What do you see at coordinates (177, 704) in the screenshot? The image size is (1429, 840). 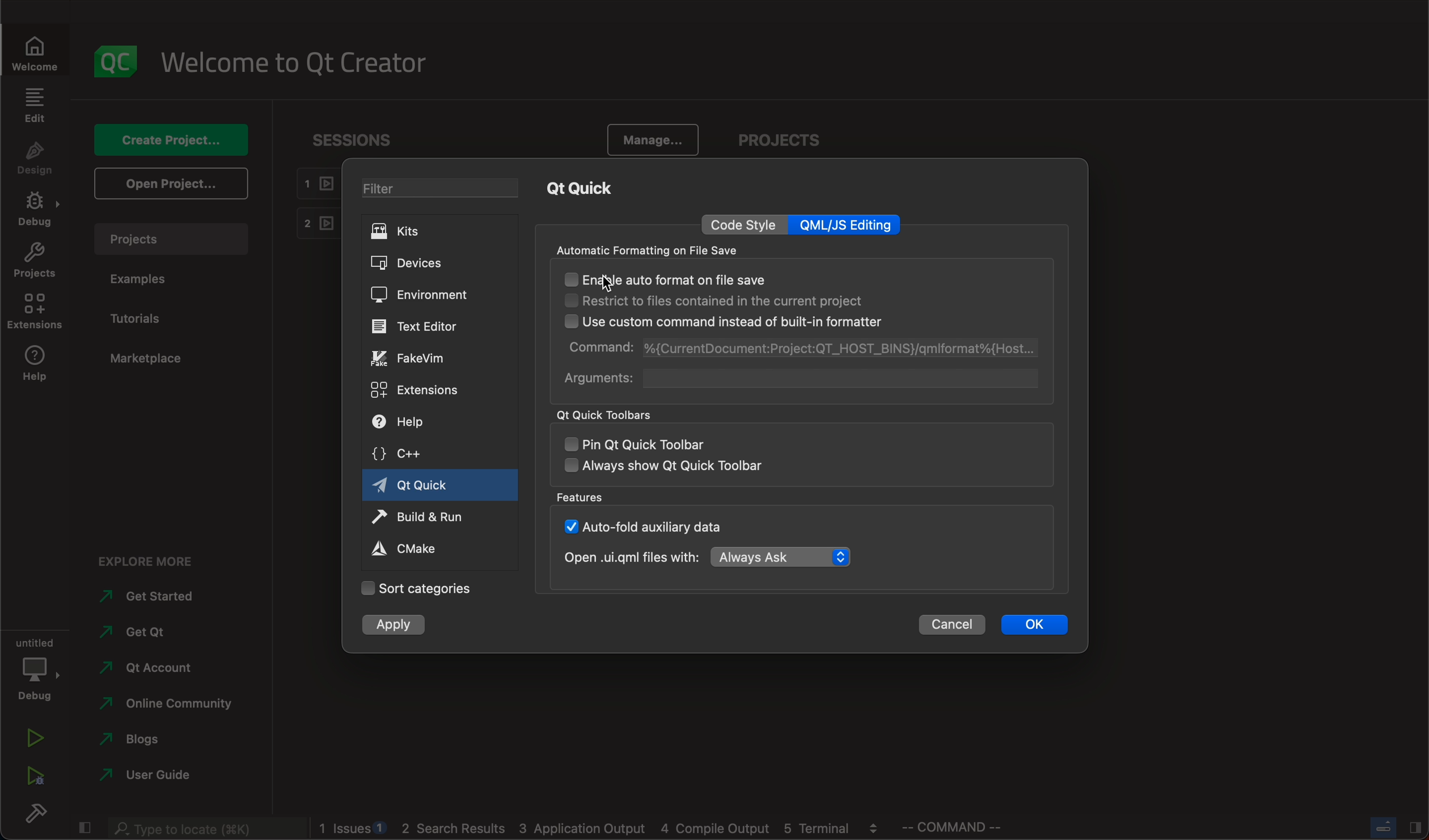 I see `community` at bounding box center [177, 704].